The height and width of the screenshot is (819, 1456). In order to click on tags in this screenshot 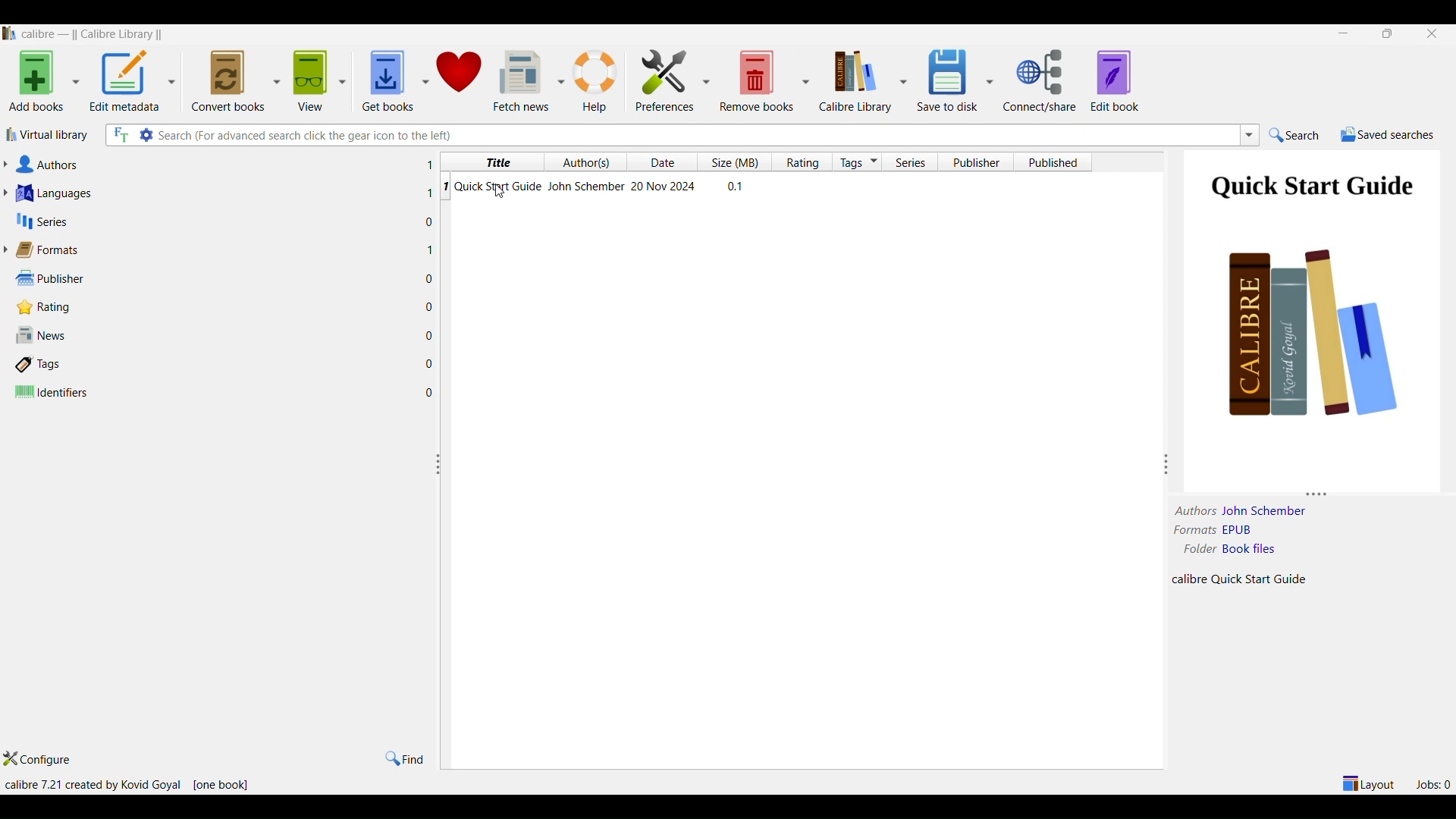, I will do `click(859, 162)`.